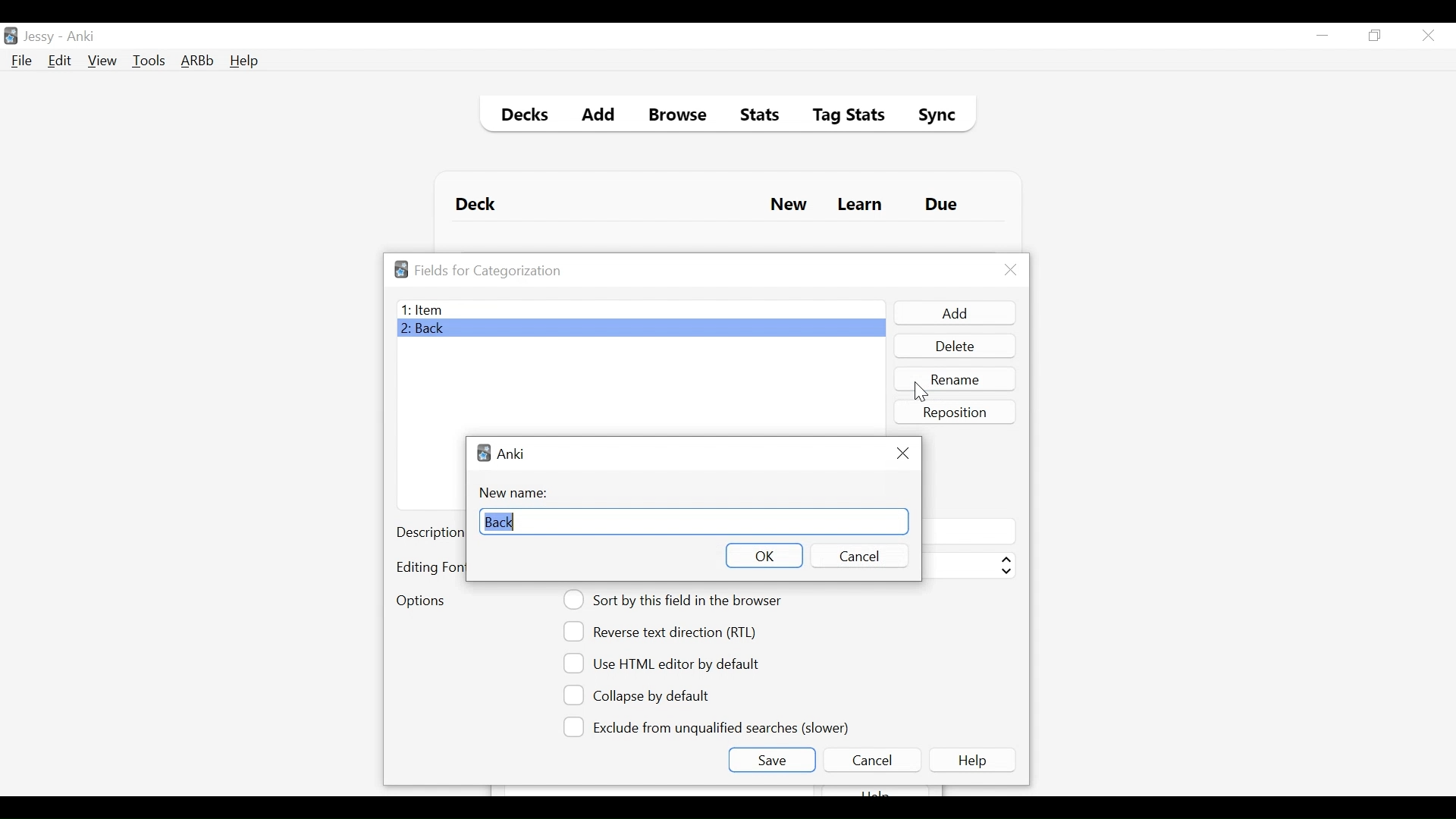 The height and width of the screenshot is (819, 1456). I want to click on Restore, so click(1376, 36).